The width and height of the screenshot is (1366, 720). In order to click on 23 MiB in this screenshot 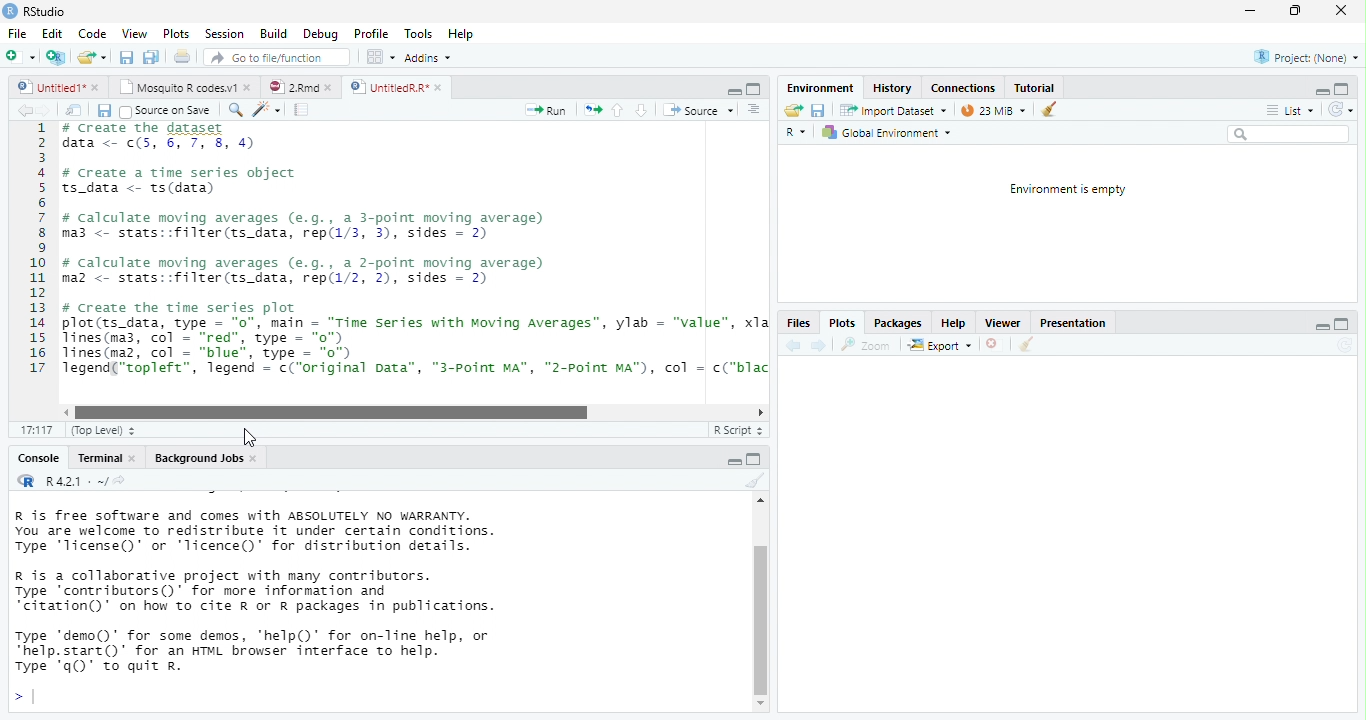, I will do `click(992, 110)`.